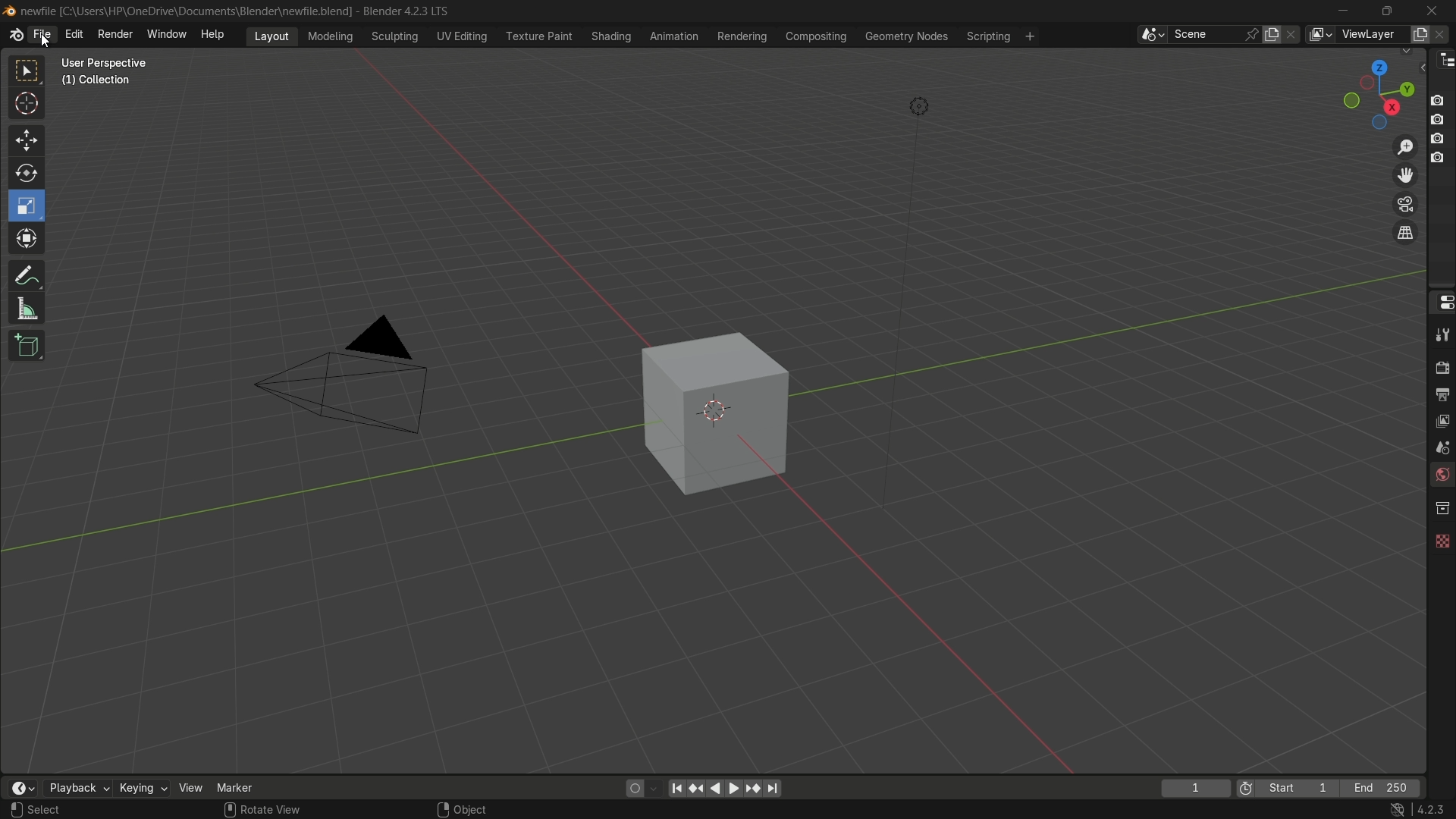 The height and width of the screenshot is (819, 1456). What do you see at coordinates (353, 377) in the screenshot?
I see `camera` at bounding box center [353, 377].